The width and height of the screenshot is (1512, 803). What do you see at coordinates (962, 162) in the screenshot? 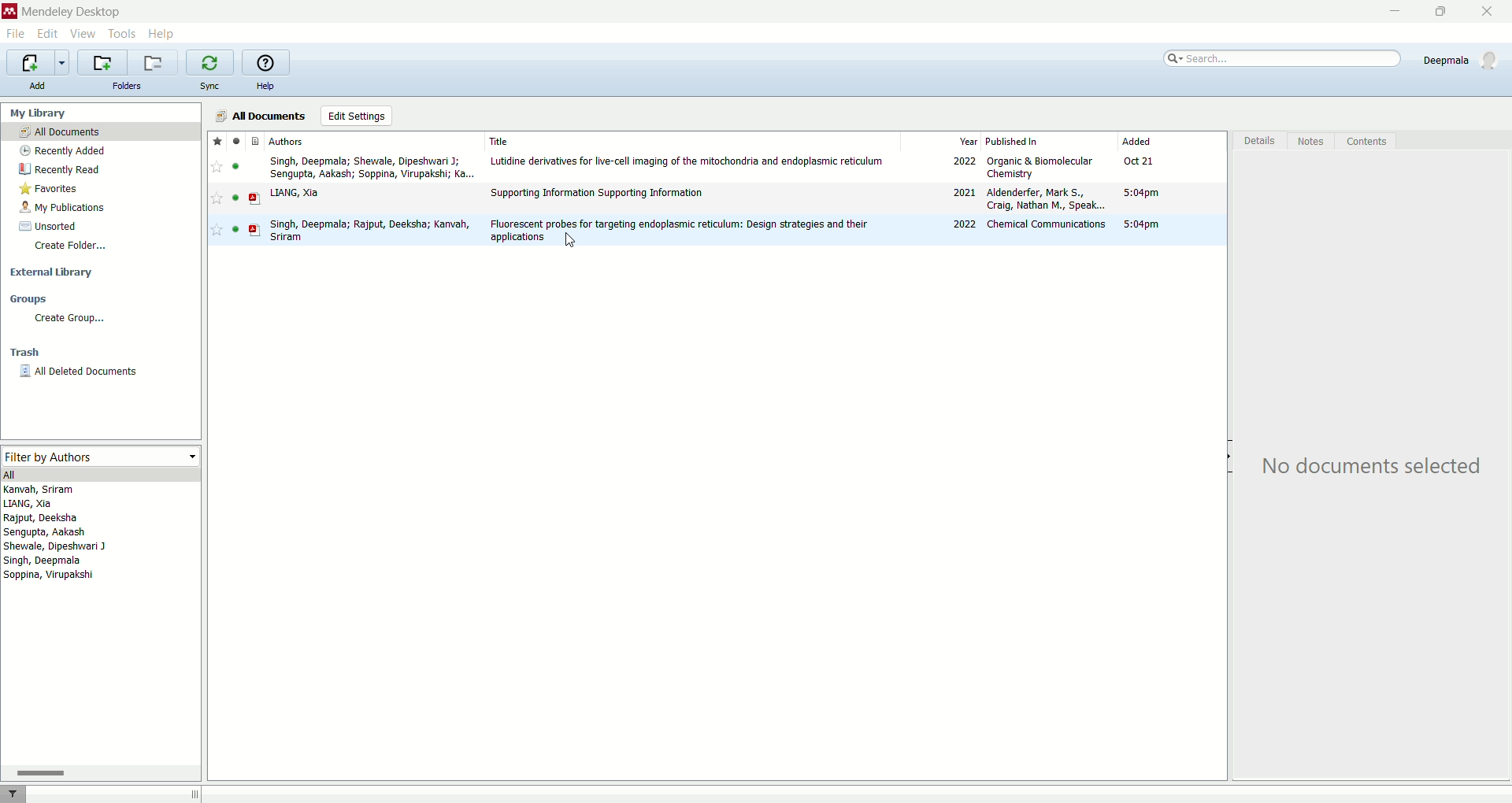
I see `2022` at bounding box center [962, 162].